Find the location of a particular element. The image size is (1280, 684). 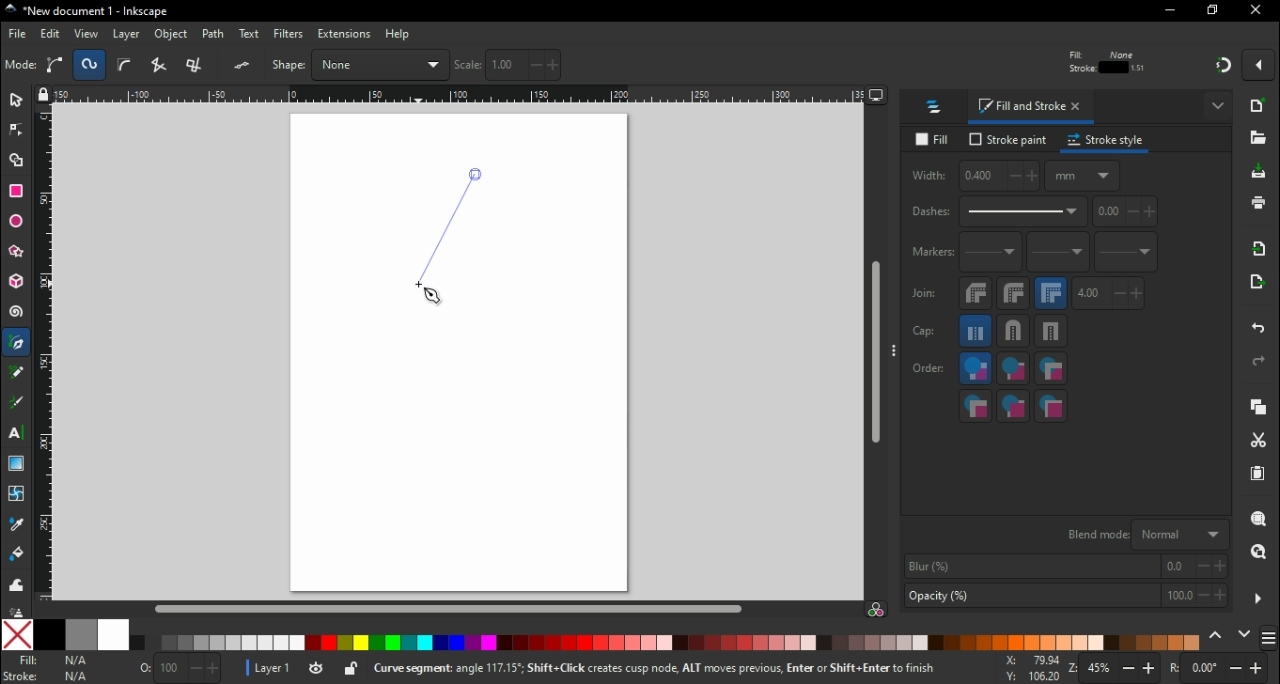

none is located at coordinates (13, 636).